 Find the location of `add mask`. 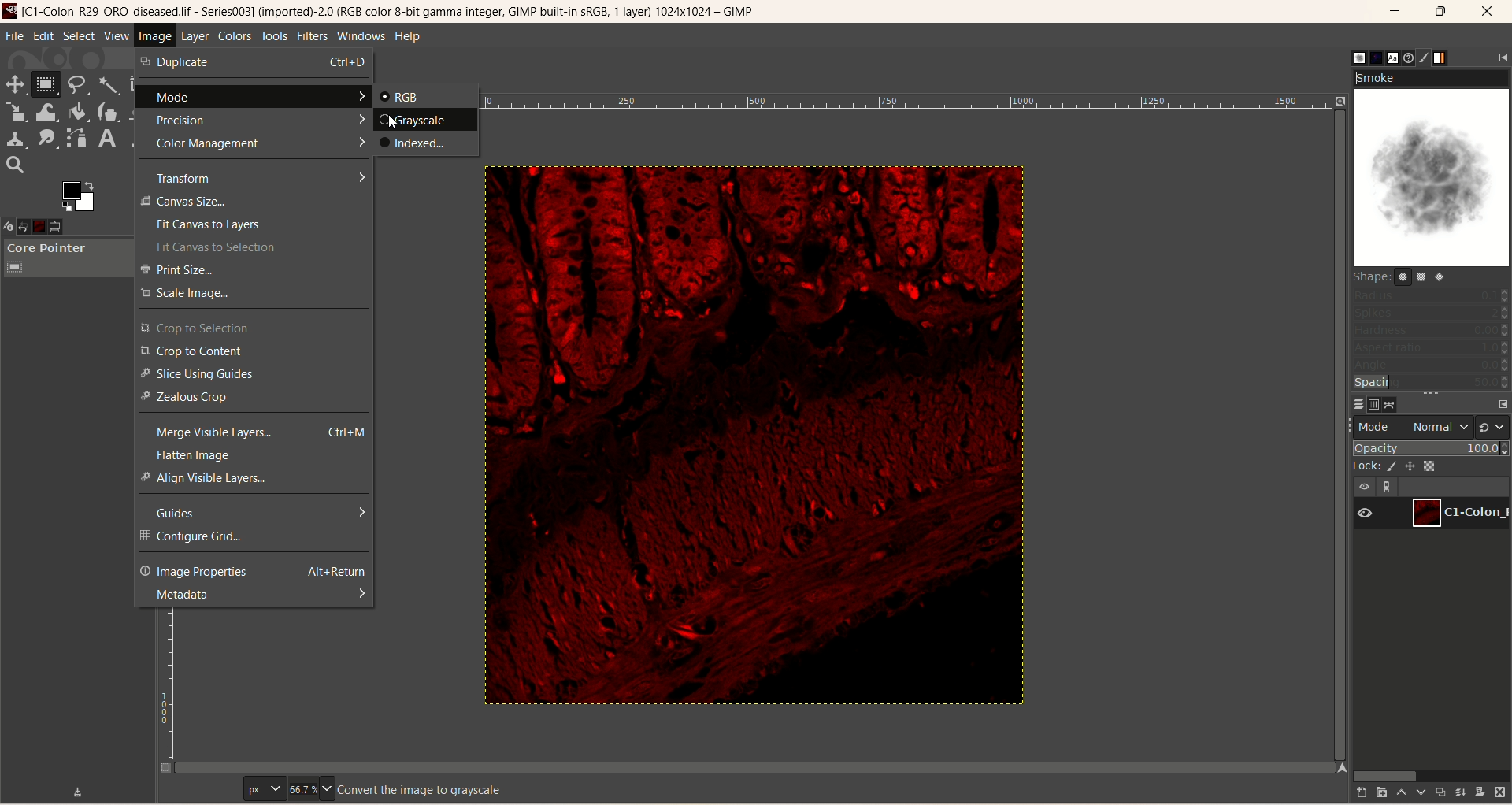

add mask is located at coordinates (1480, 794).